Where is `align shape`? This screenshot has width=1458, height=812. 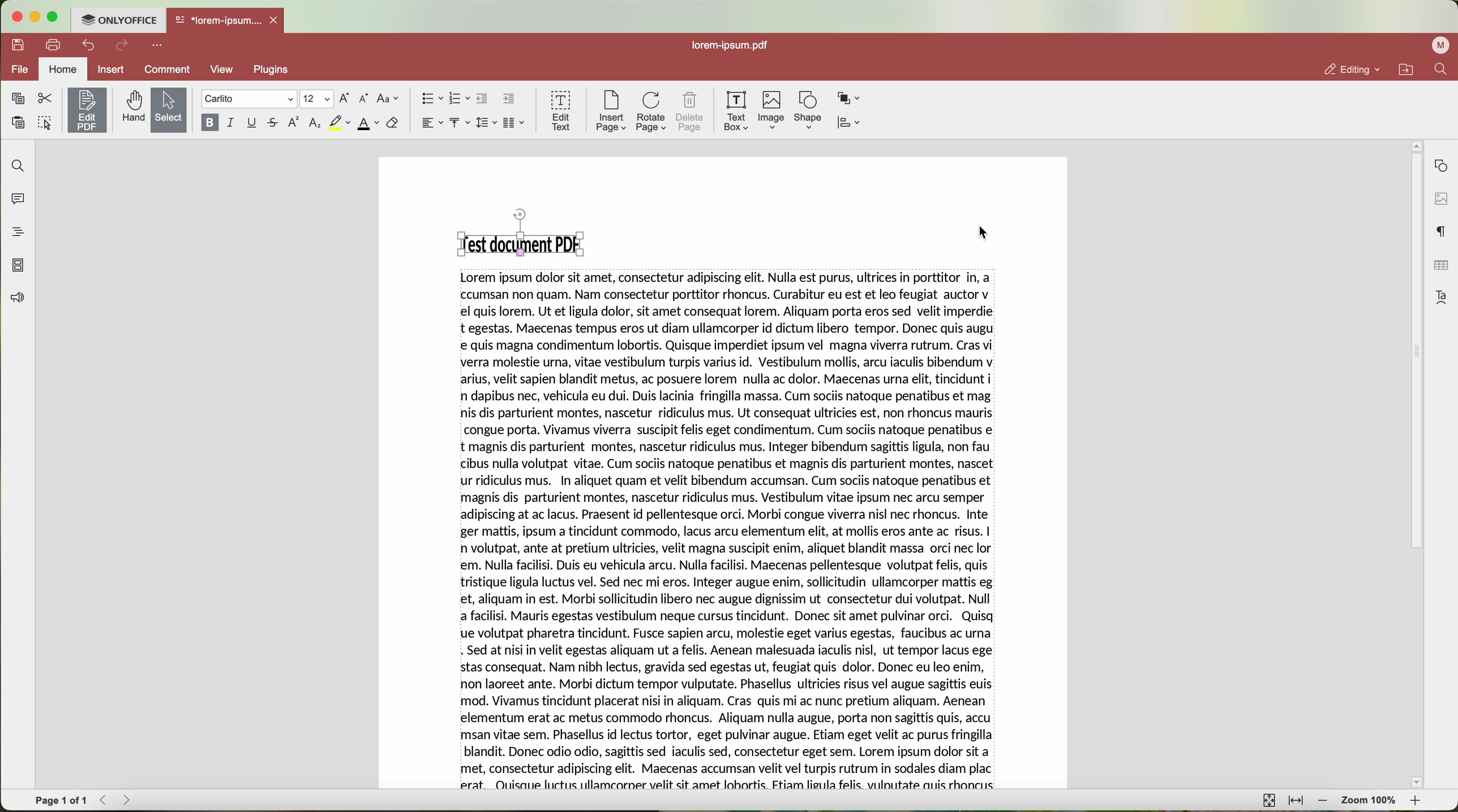 align shape is located at coordinates (848, 123).